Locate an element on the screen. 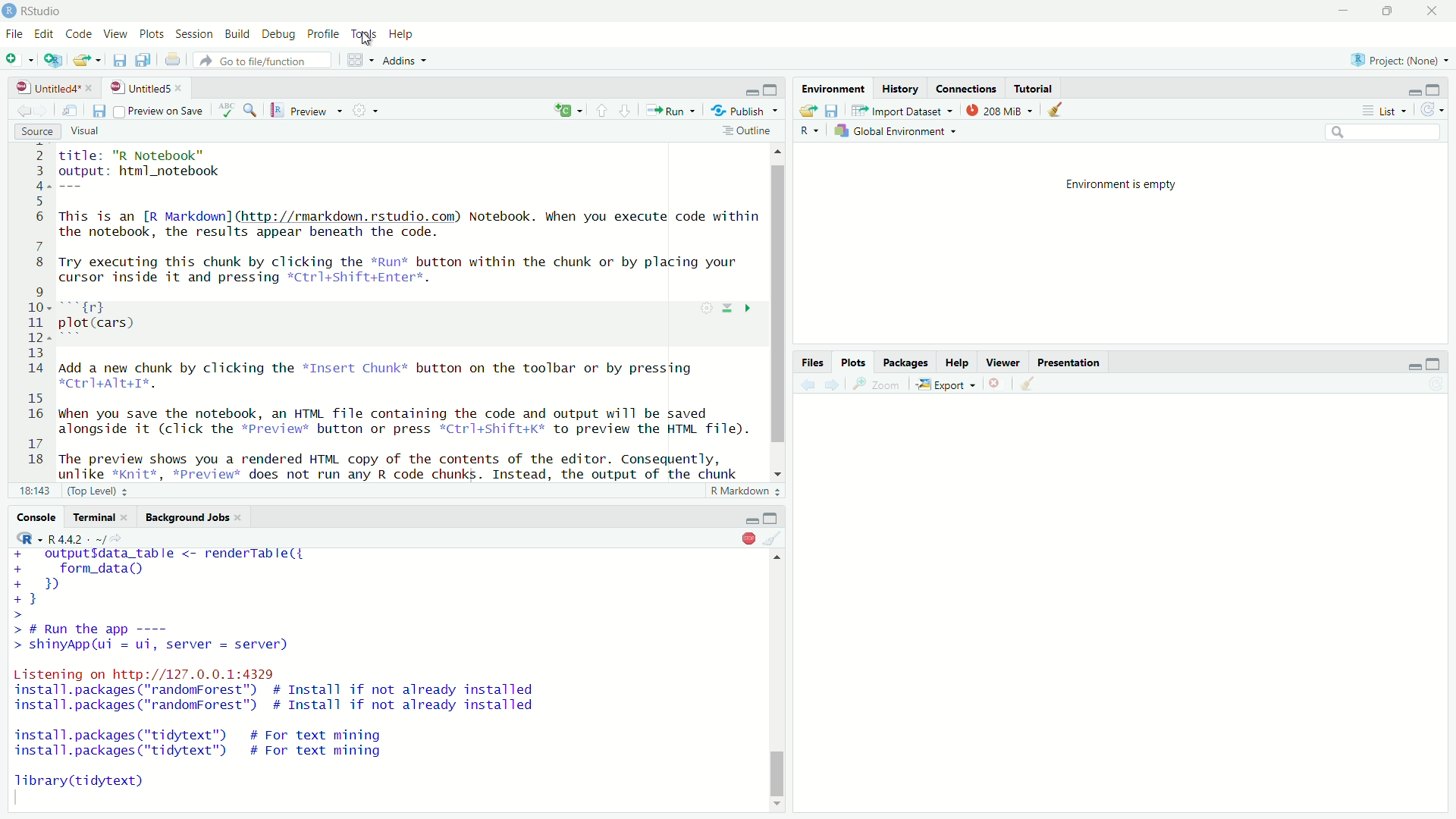 This screenshot has width=1456, height=819. Visual is located at coordinates (94, 132).